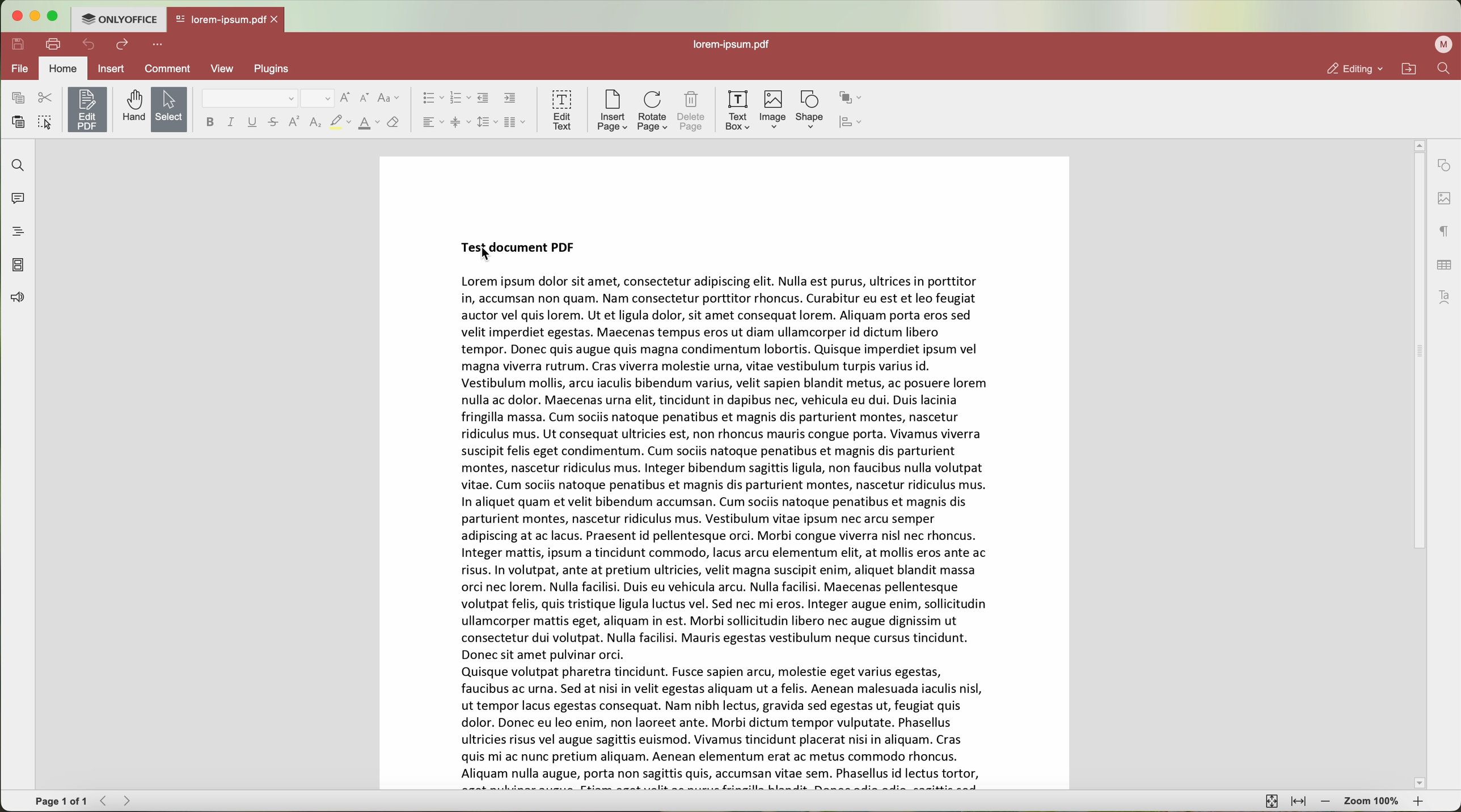  Describe the element at coordinates (160, 44) in the screenshot. I see `customize quick access toolbar` at that location.